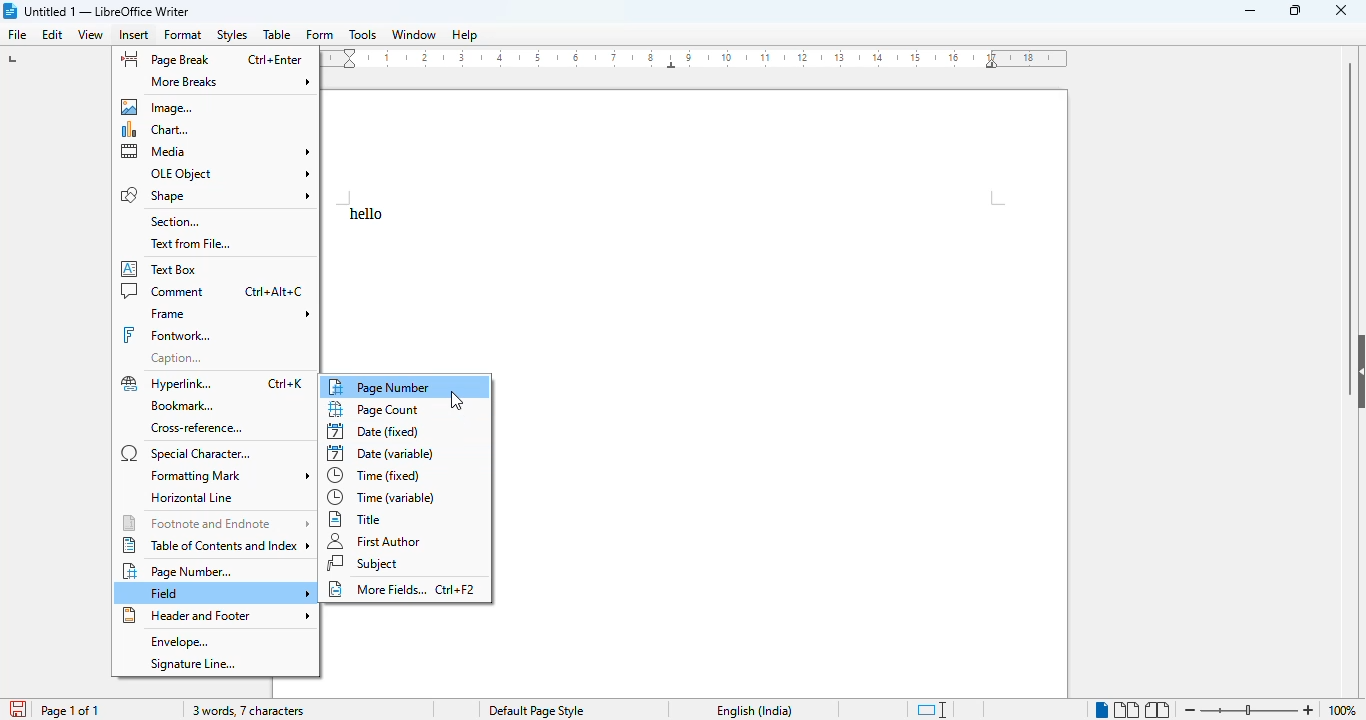 The image size is (1366, 720). What do you see at coordinates (376, 409) in the screenshot?
I see `page count` at bounding box center [376, 409].